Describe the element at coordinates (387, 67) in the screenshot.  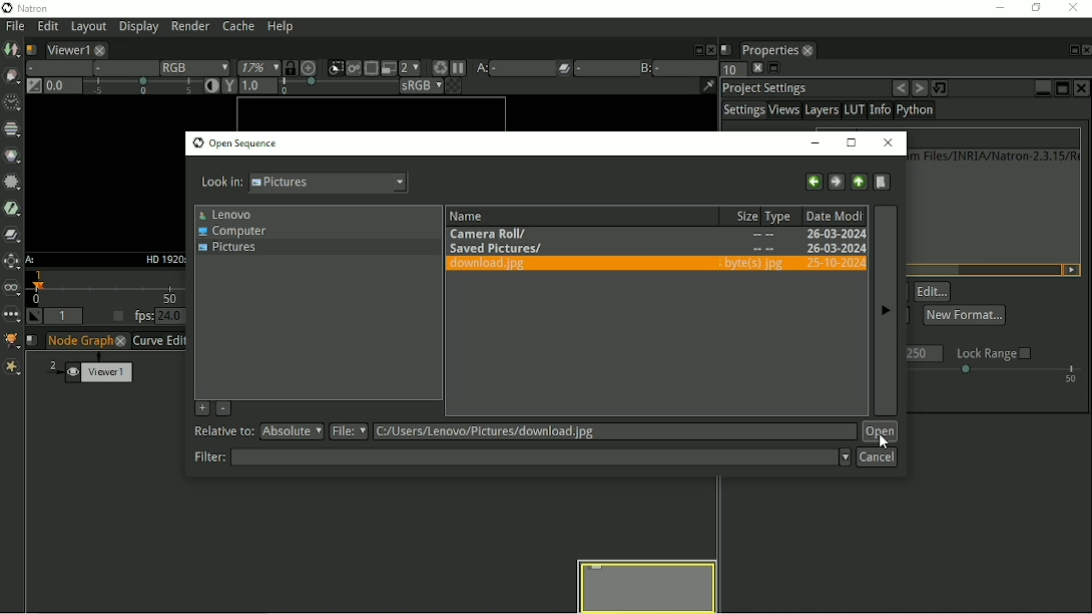
I see `Proxy mode` at that location.